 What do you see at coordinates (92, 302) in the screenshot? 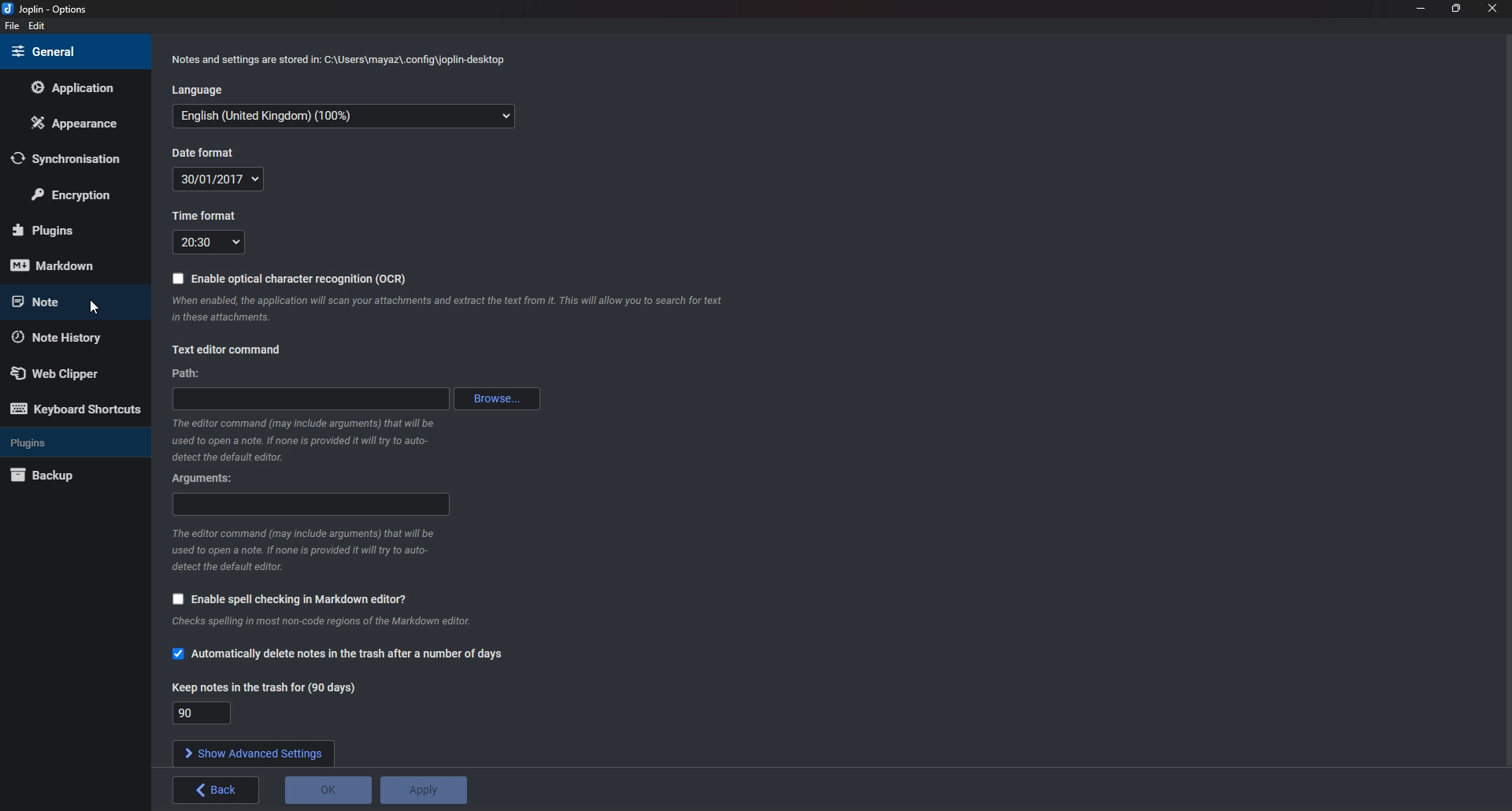
I see `cursor` at bounding box center [92, 302].